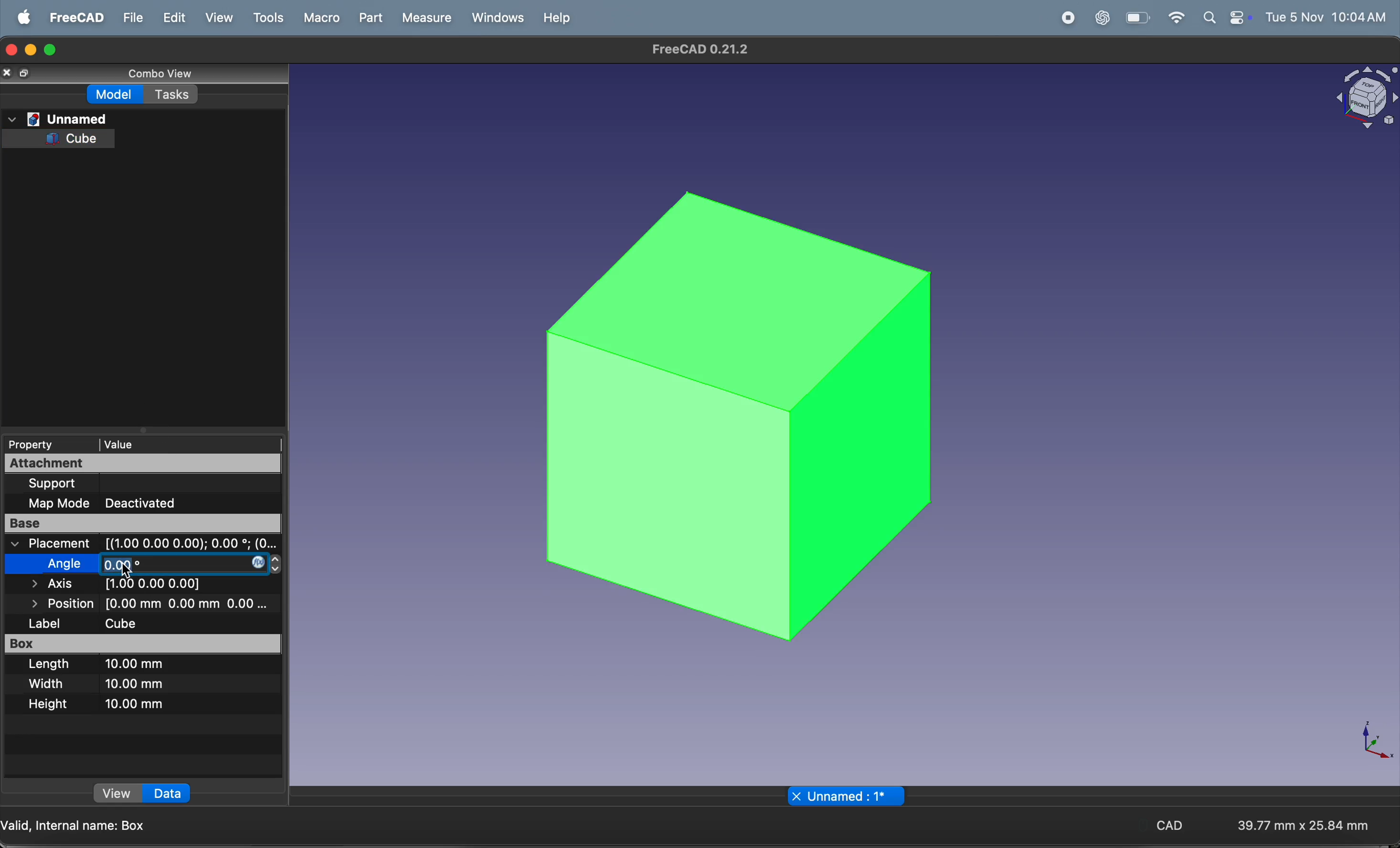  I want to click on Cube, so click(60, 140).